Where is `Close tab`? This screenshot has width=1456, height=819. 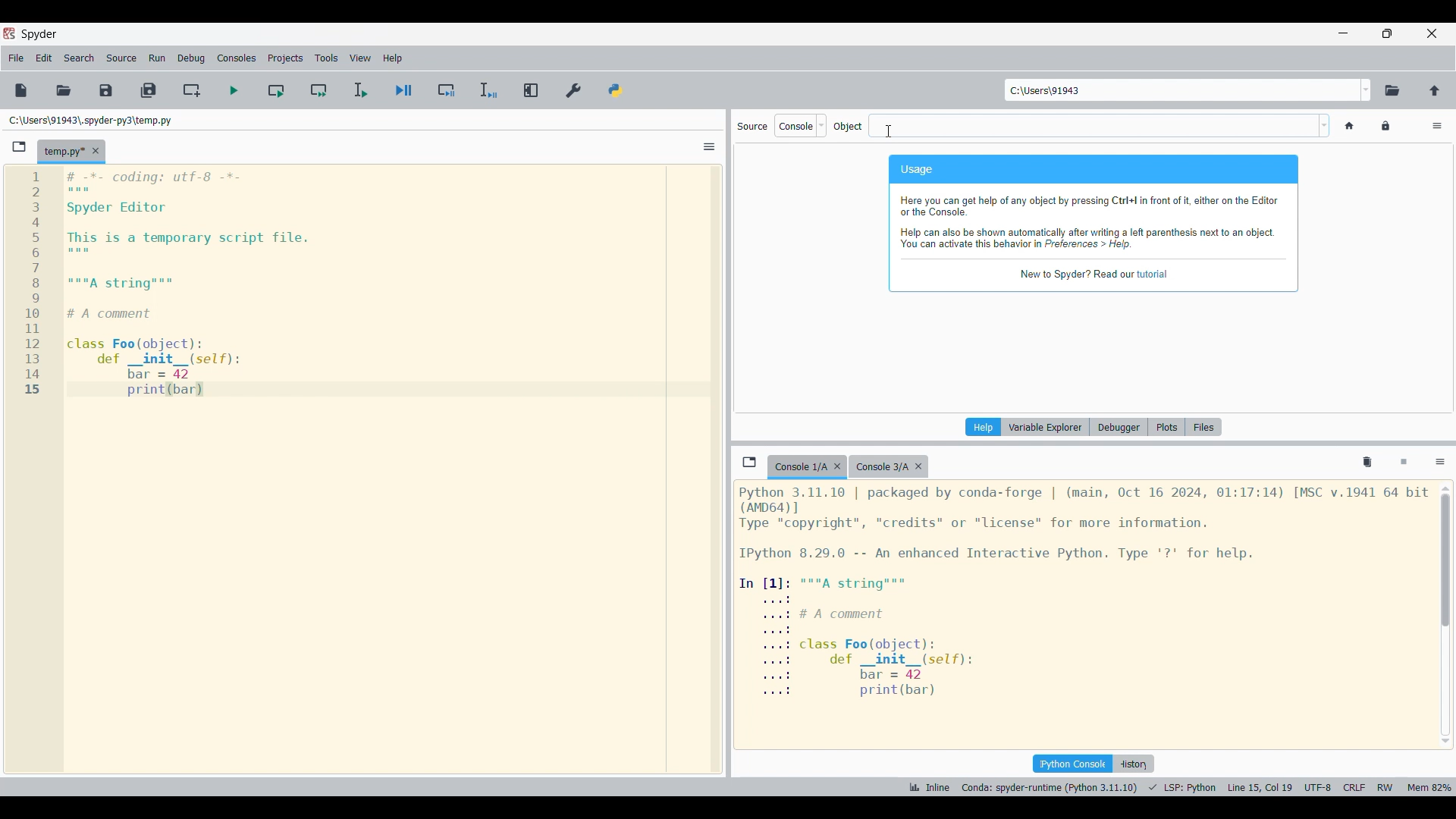
Close tab is located at coordinates (837, 466).